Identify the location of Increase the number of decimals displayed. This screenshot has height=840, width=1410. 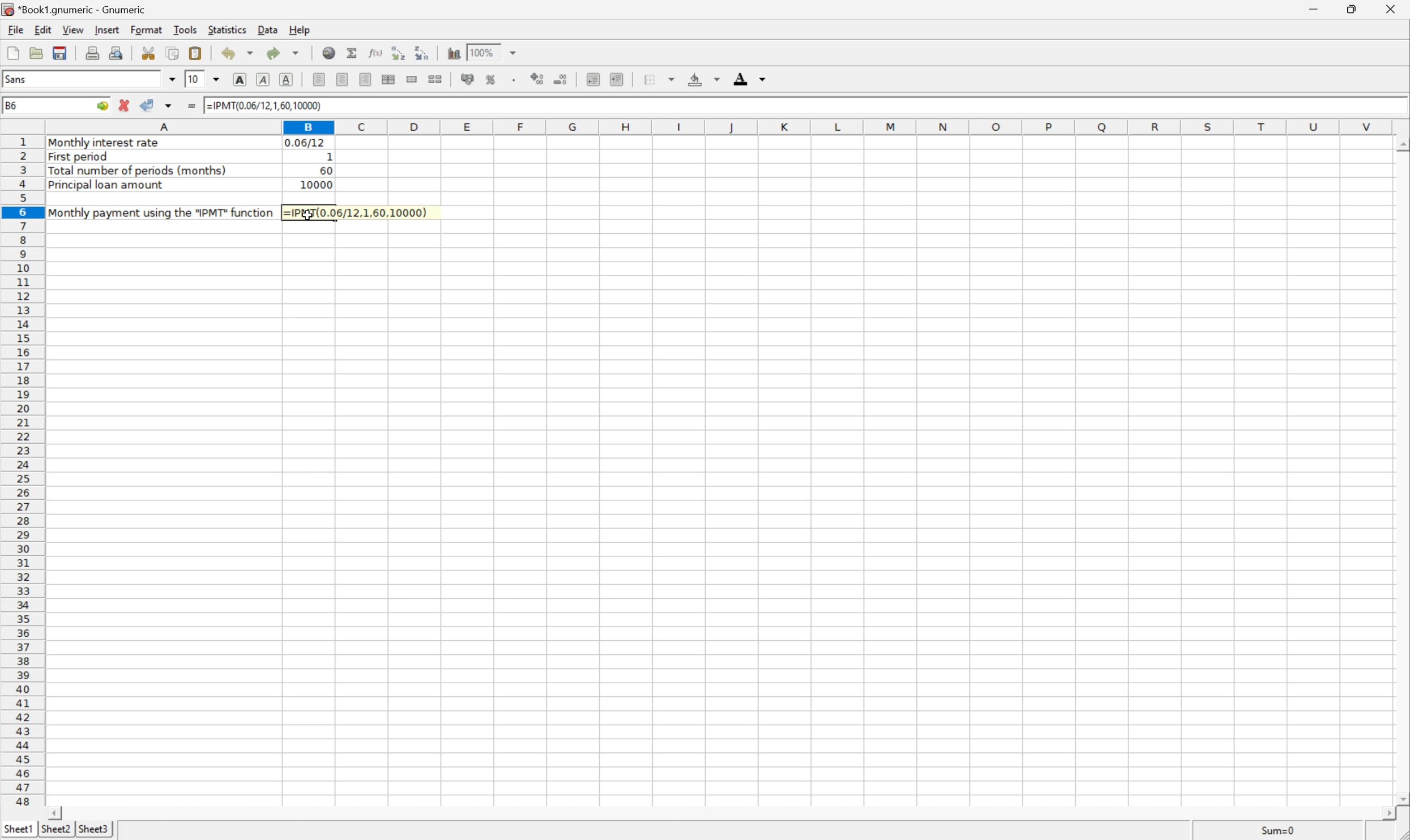
(539, 79).